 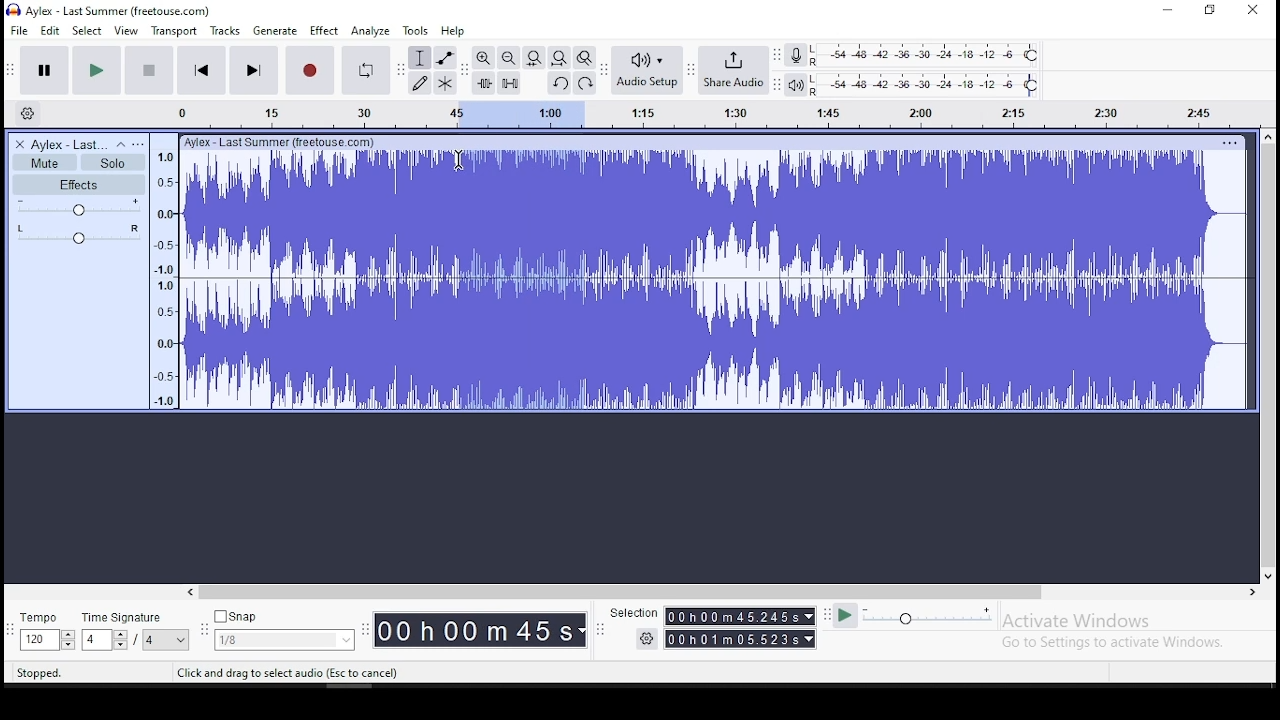 I want to click on help, so click(x=452, y=31).